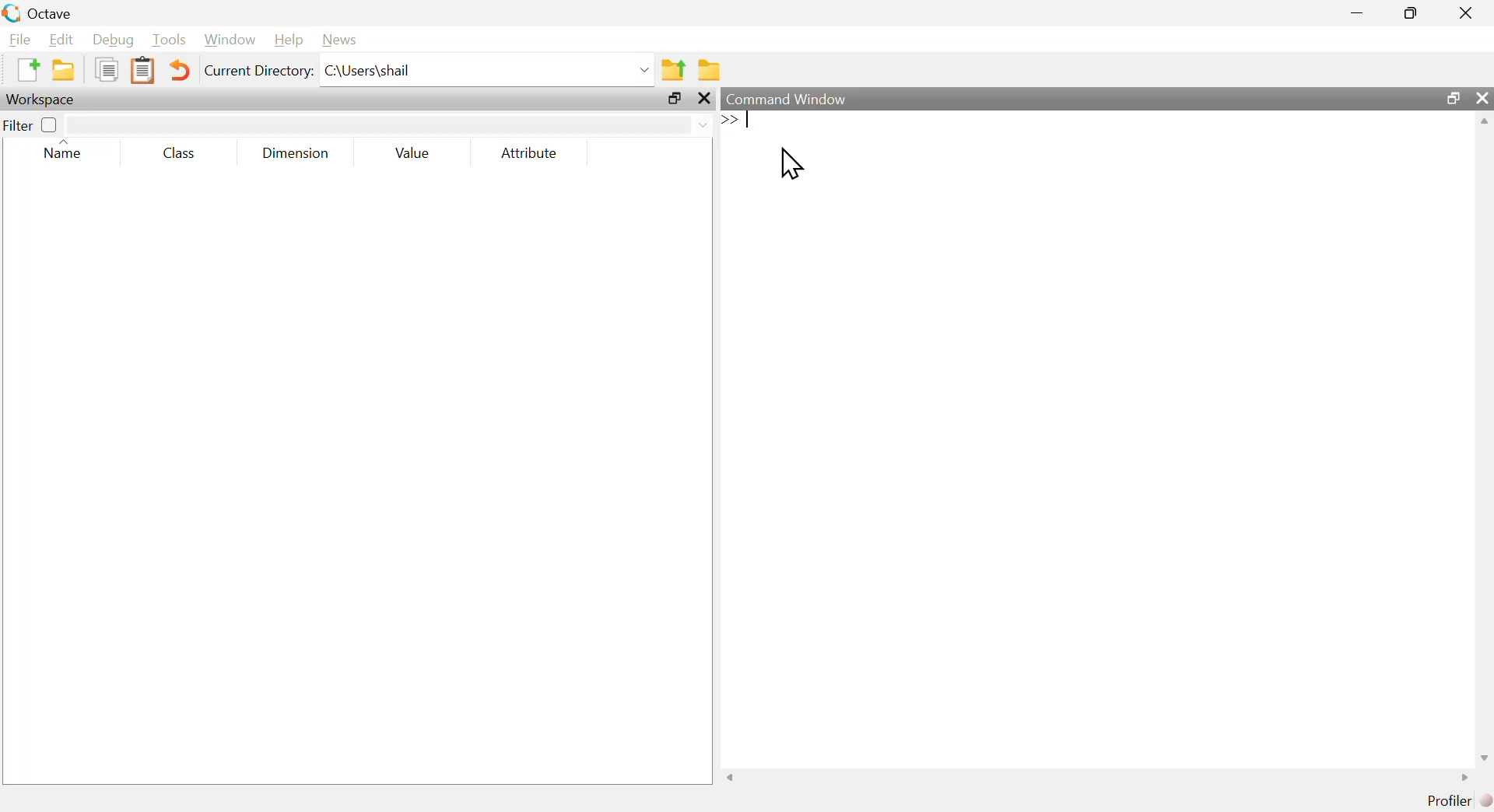 The width and height of the screenshot is (1494, 812). I want to click on Class, so click(185, 151).